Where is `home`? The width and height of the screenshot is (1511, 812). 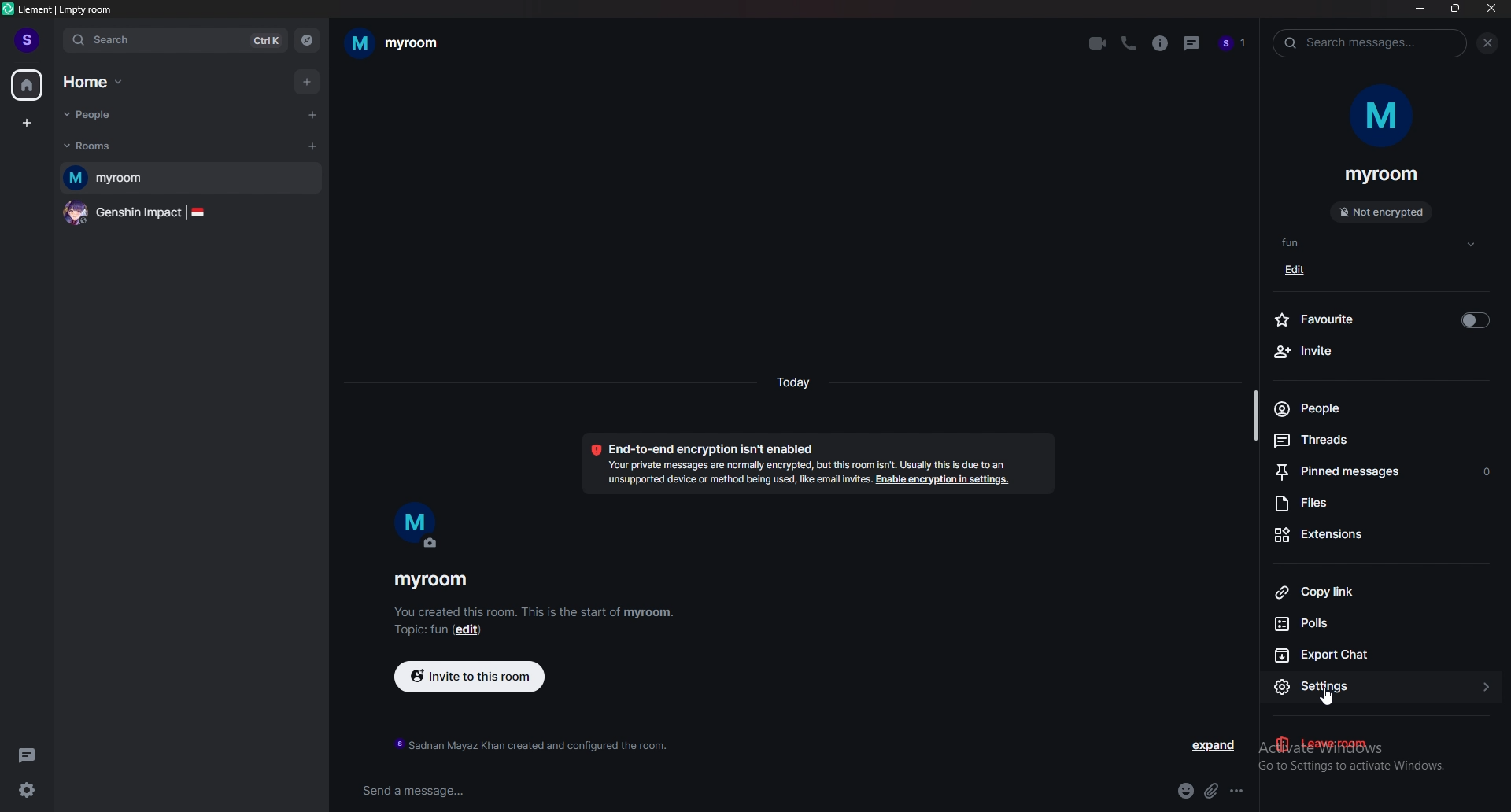 home is located at coordinates (102, 80).